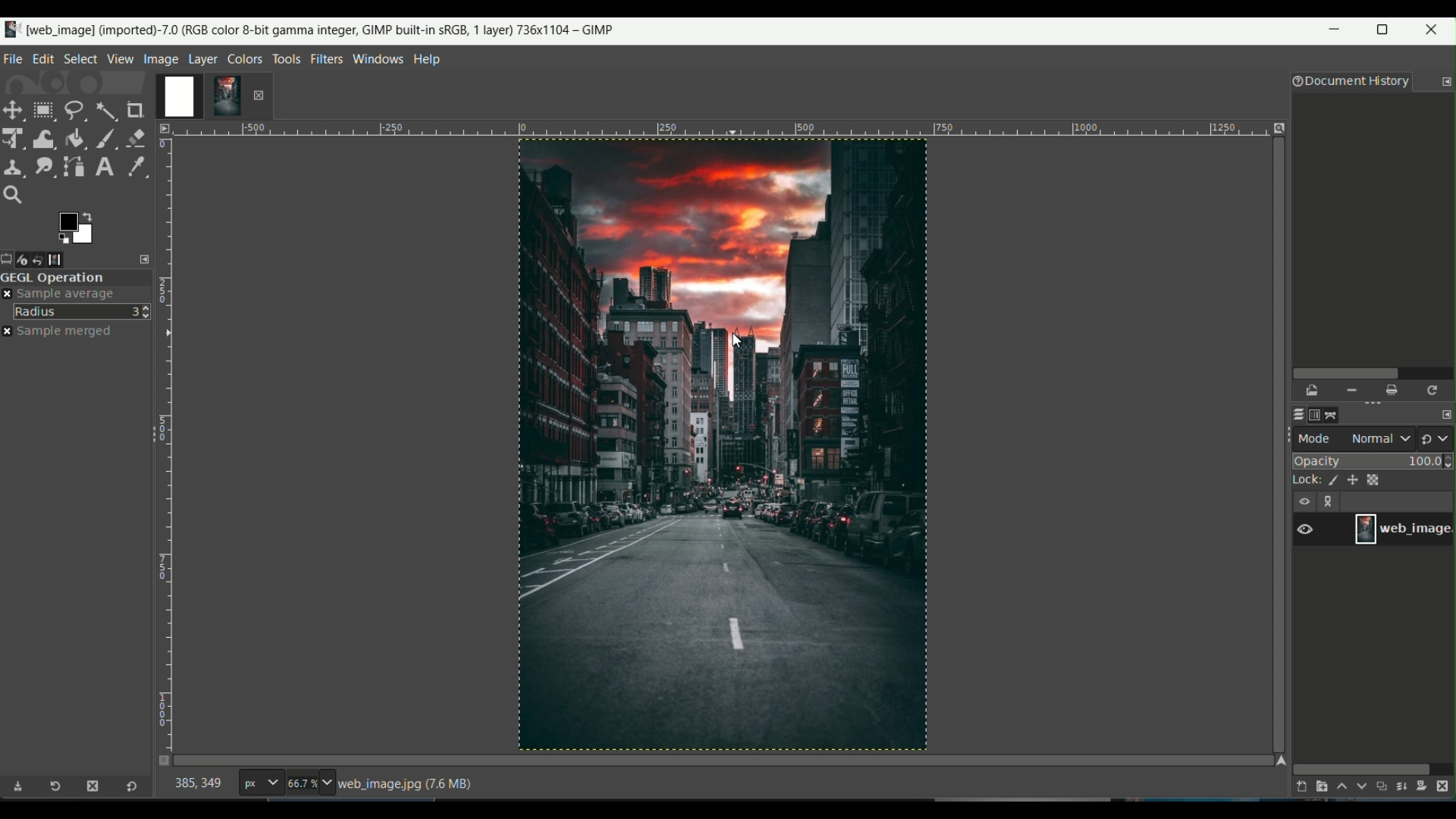  I want to click on layers, so click(1295, 415).